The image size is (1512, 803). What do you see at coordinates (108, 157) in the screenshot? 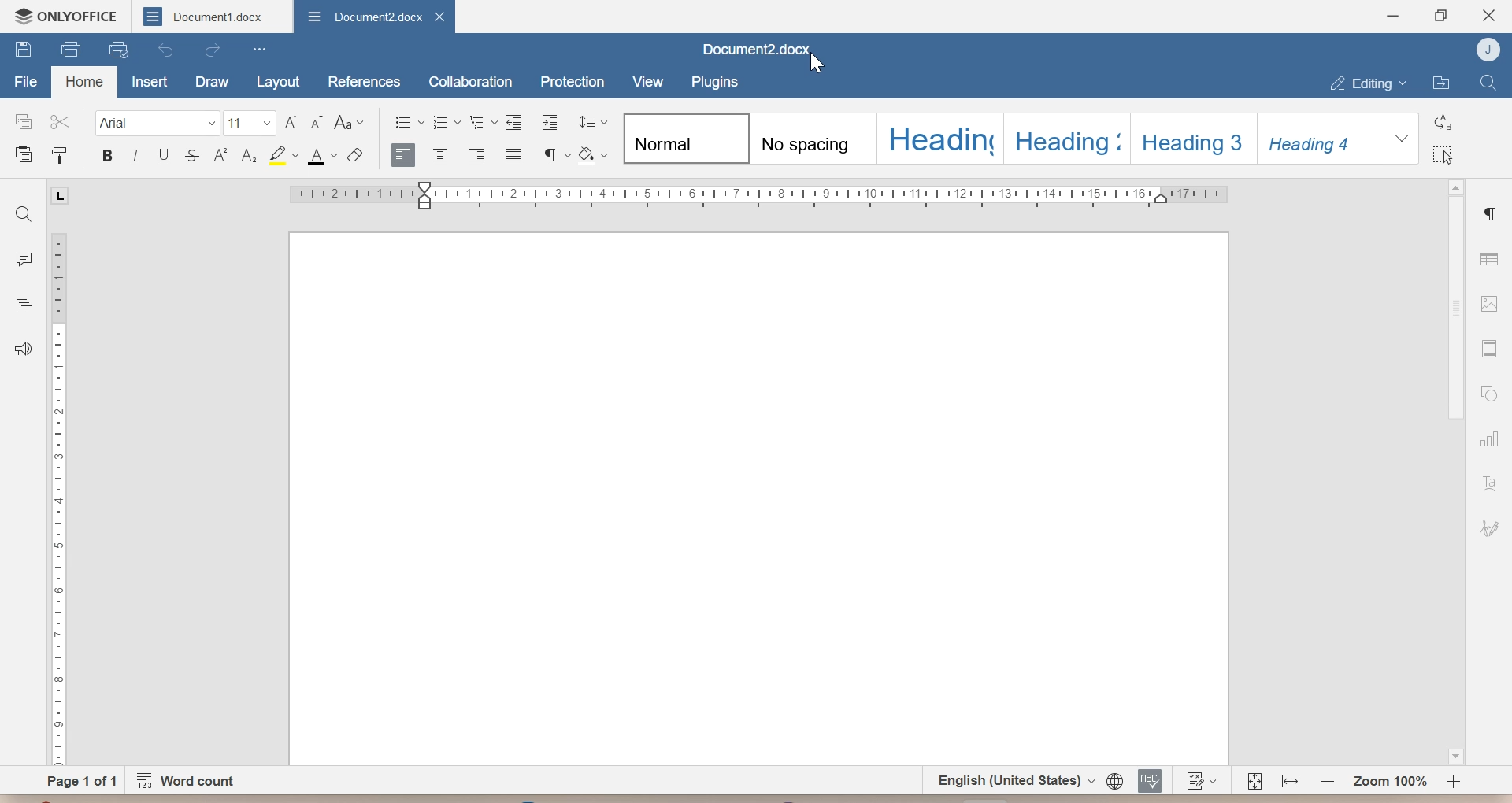
I see `Bold` at bounding box center [108, 157].